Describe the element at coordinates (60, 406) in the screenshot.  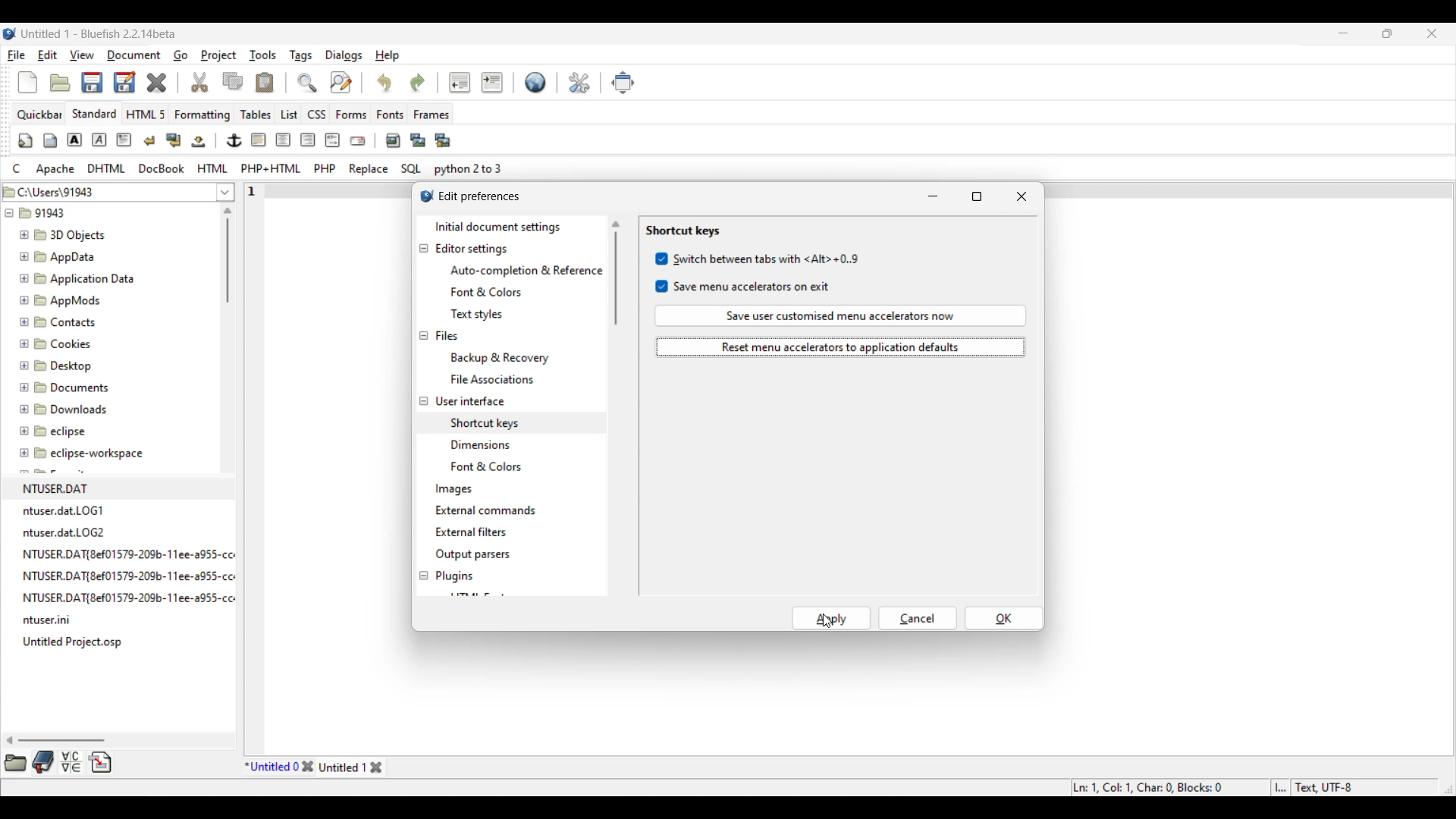
I see `BB B Downloads` at that location.